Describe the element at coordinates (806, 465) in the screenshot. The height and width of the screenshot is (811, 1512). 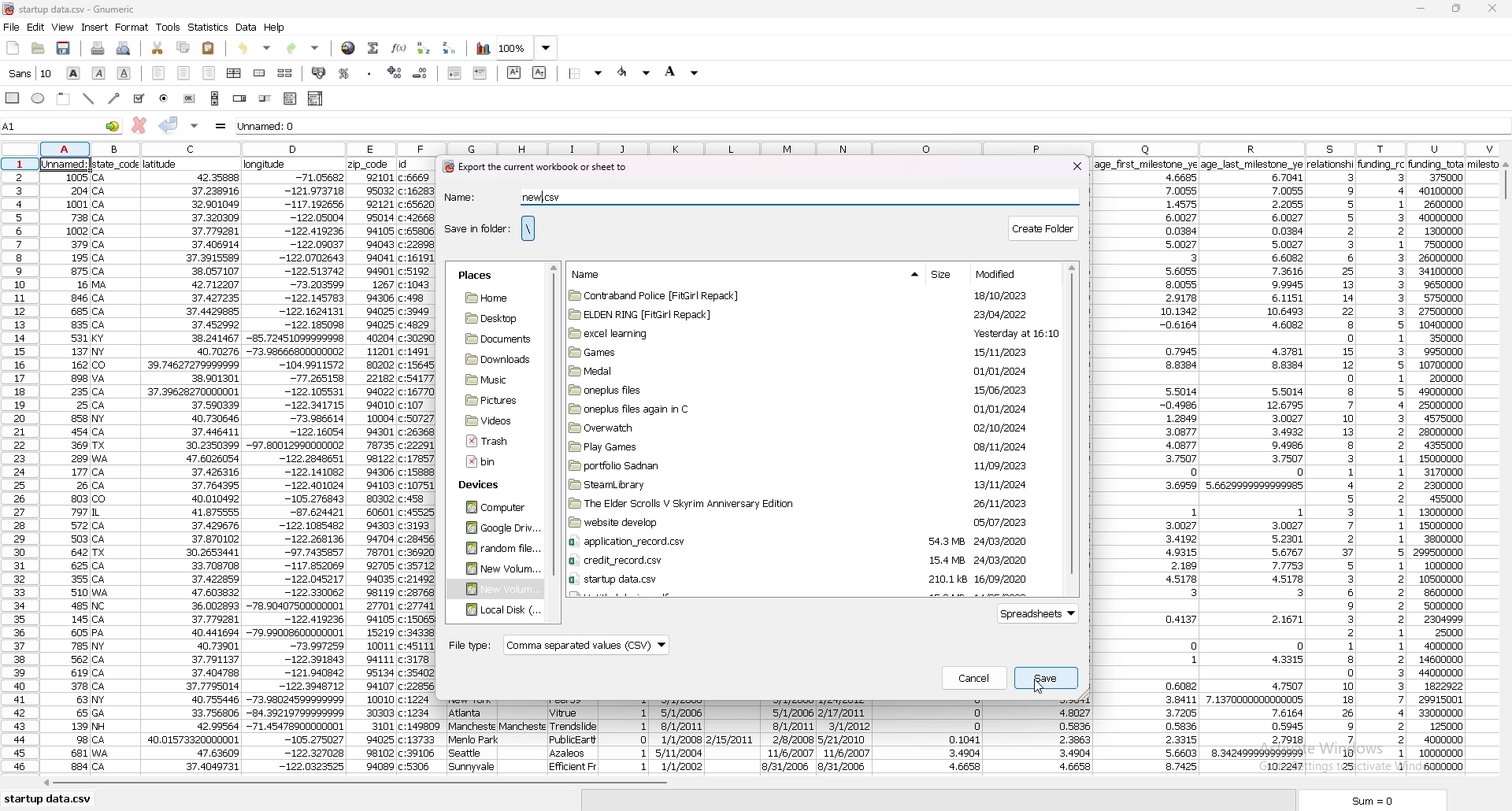
I see `folder` at that location.